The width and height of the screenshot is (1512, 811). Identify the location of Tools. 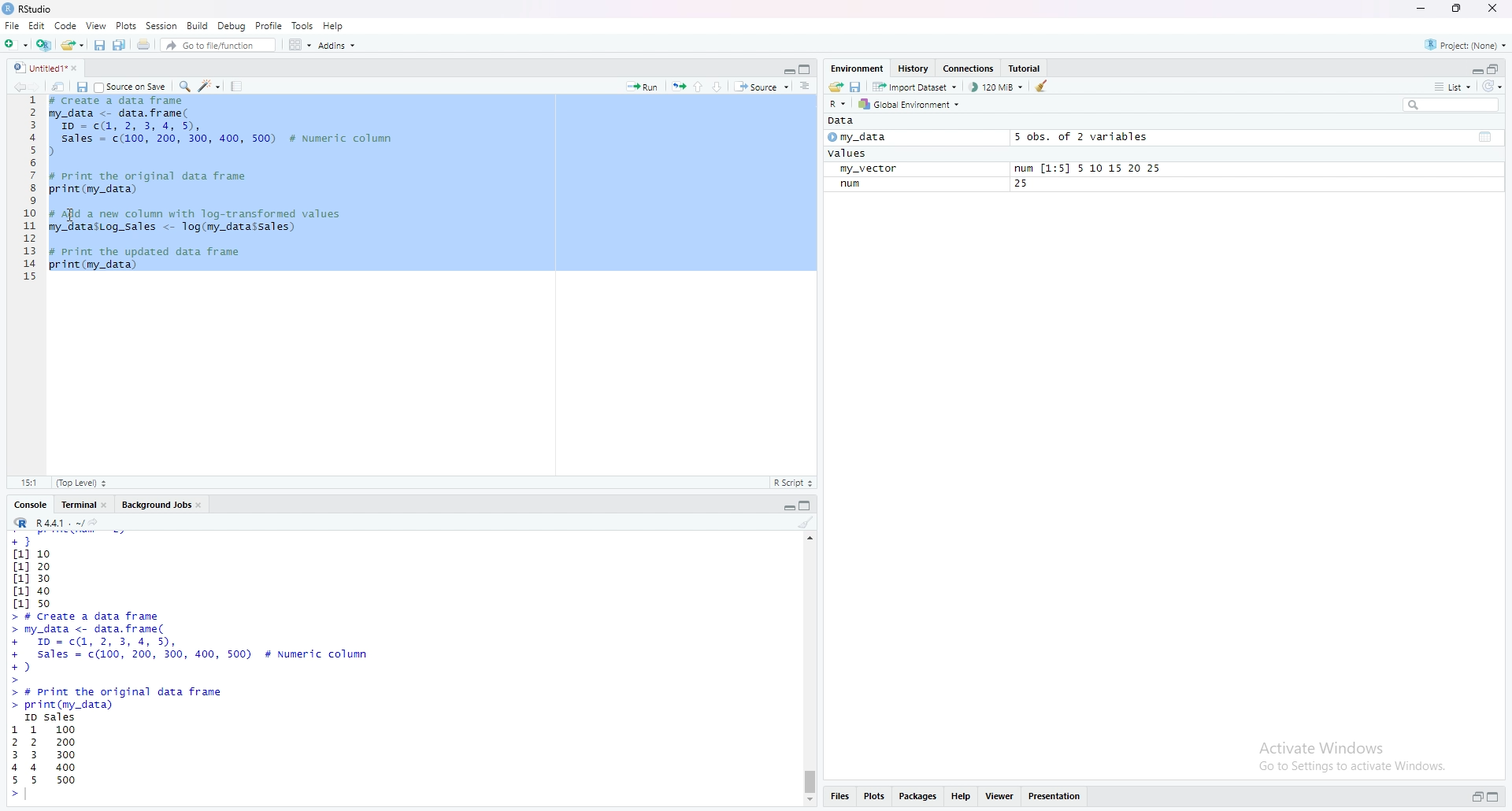
(302, 24).